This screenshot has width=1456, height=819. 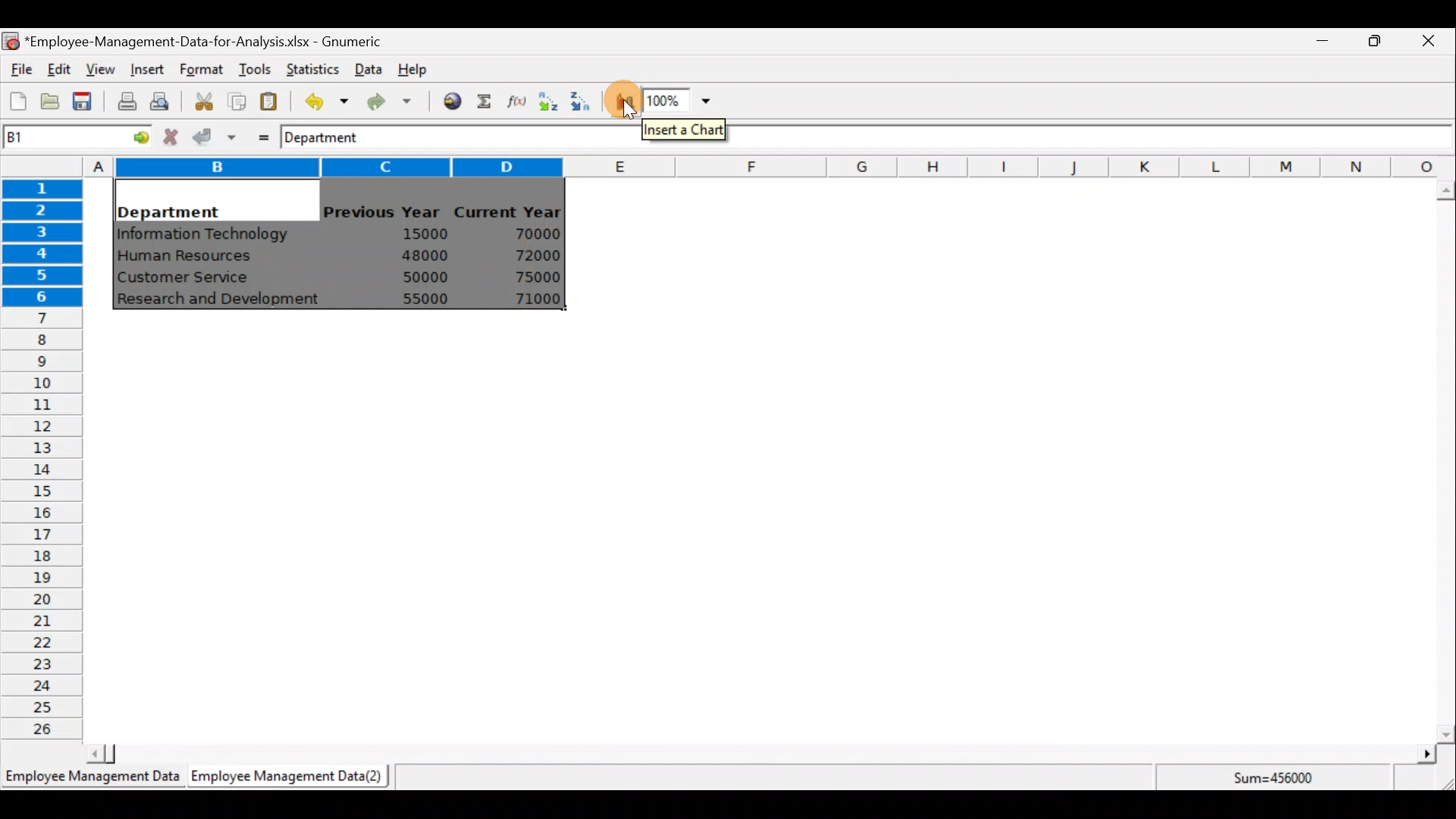 I want to click on Previous Year, so click(x=382, y=212).